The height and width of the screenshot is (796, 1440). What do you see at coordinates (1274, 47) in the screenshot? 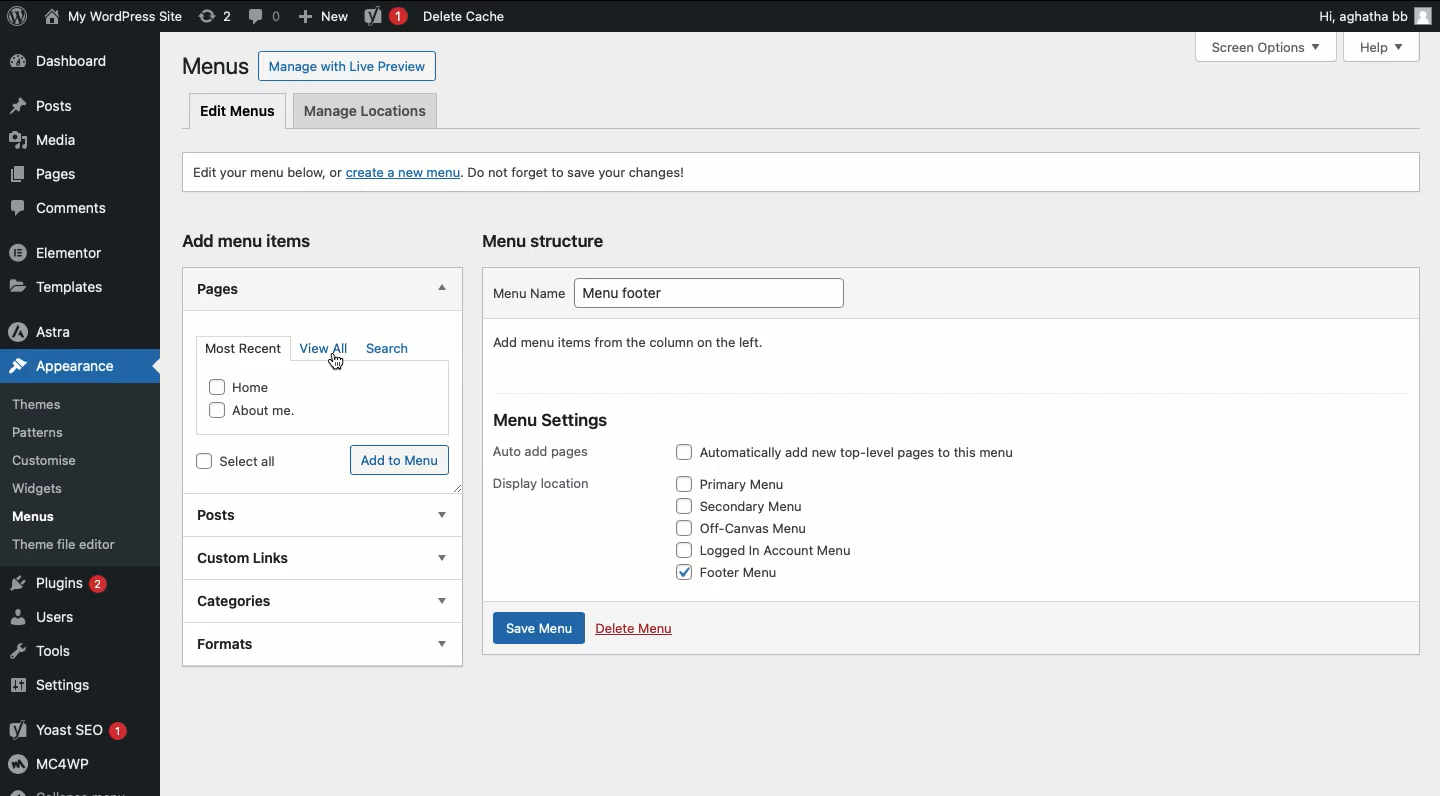
I see `Screen Options ` at bounding box center [1274, 47].